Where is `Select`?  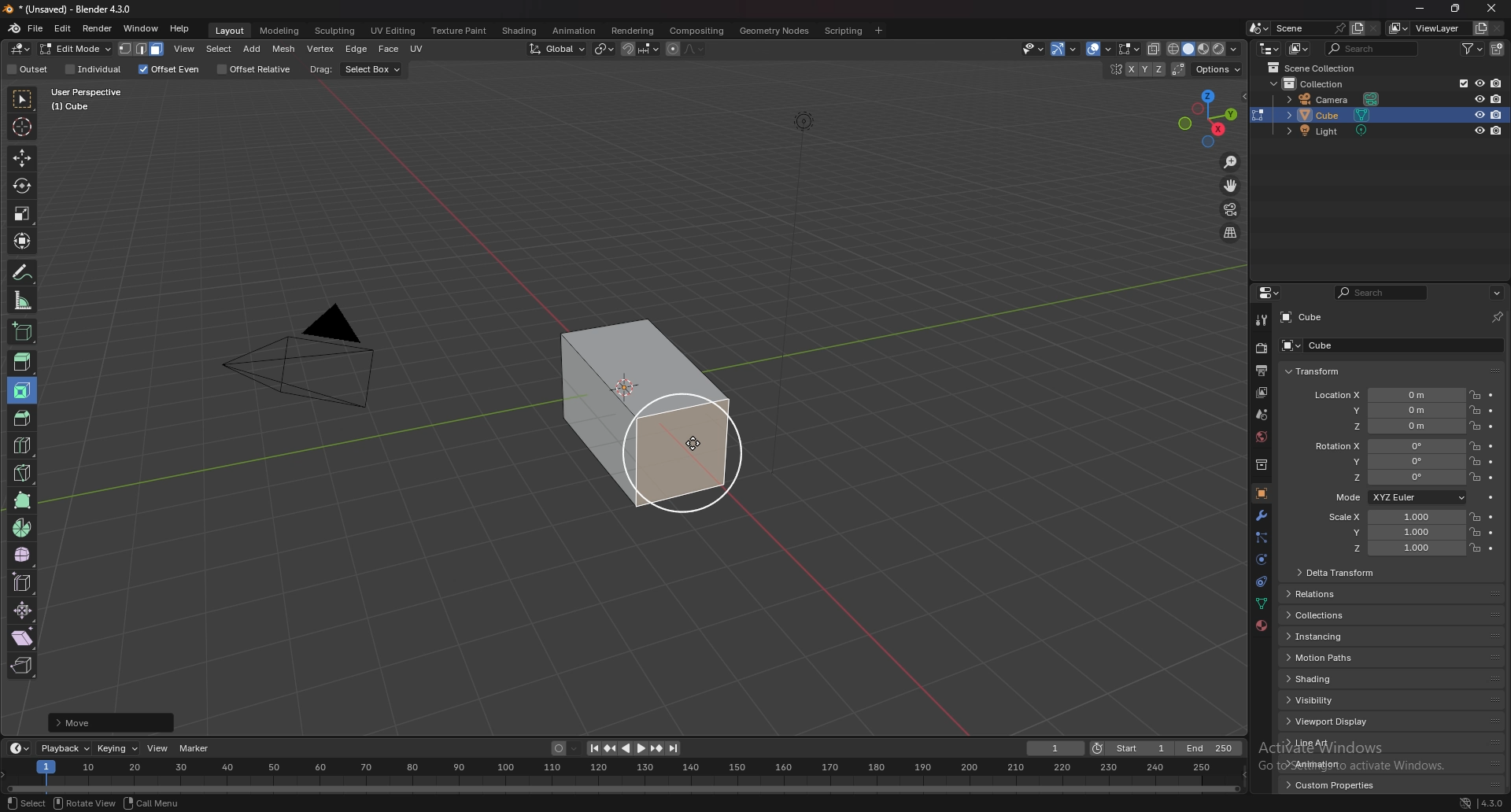 Select is located at coordinates (24, 803).